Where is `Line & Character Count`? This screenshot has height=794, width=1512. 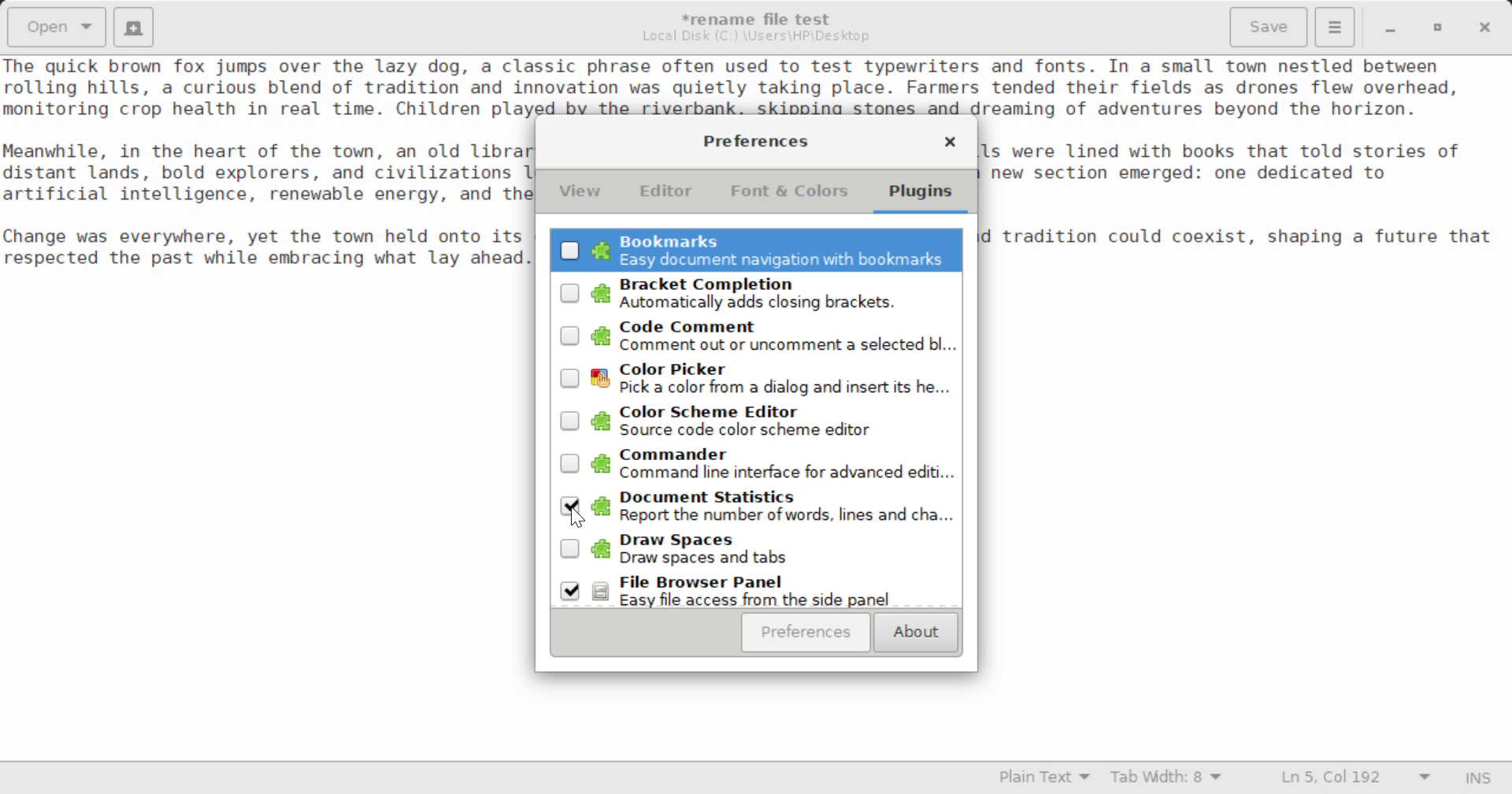
Line & Character Count is located at coordinates (1356, 779).